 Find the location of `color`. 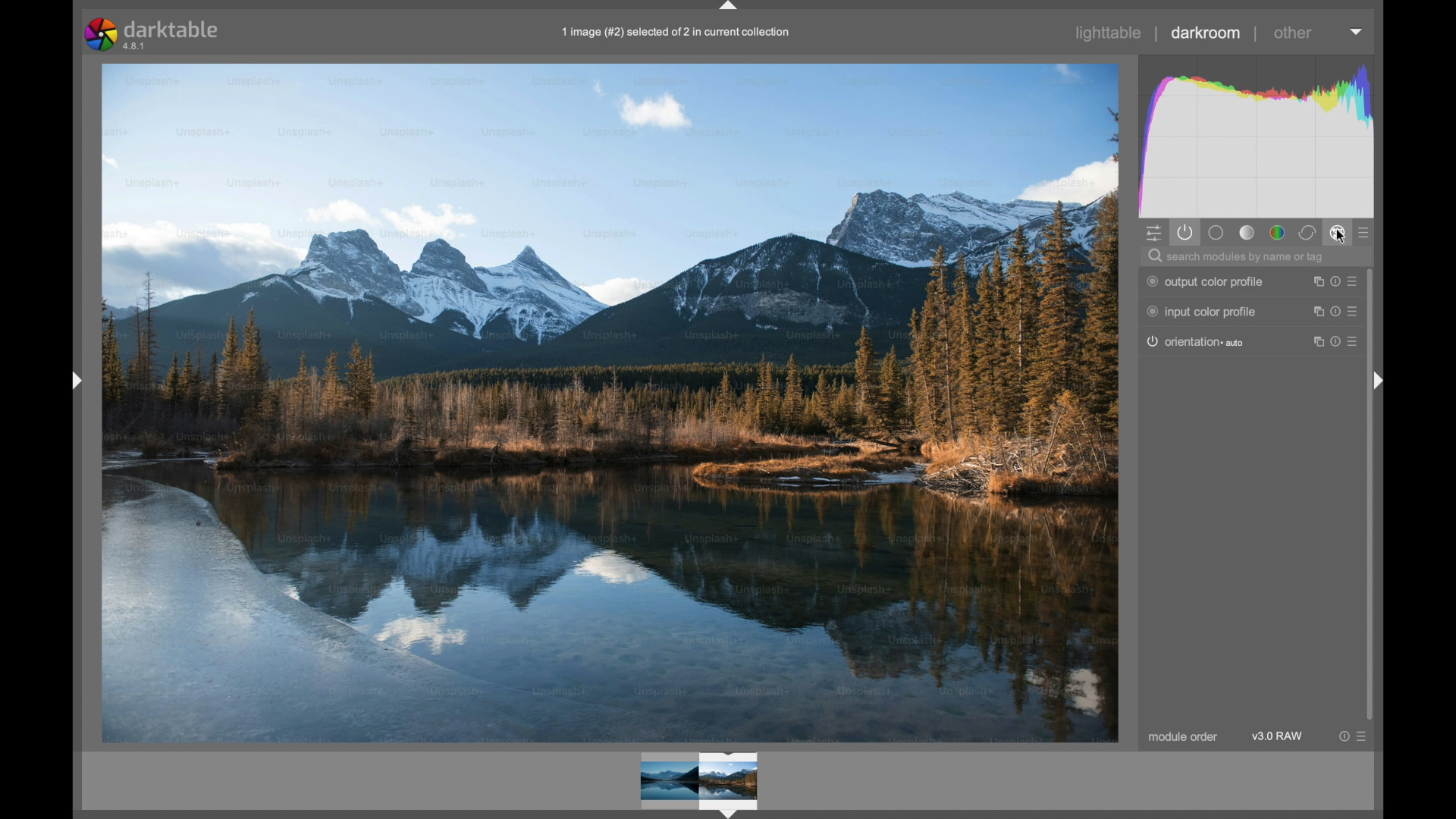

color is located at coordinates (1277, 233).